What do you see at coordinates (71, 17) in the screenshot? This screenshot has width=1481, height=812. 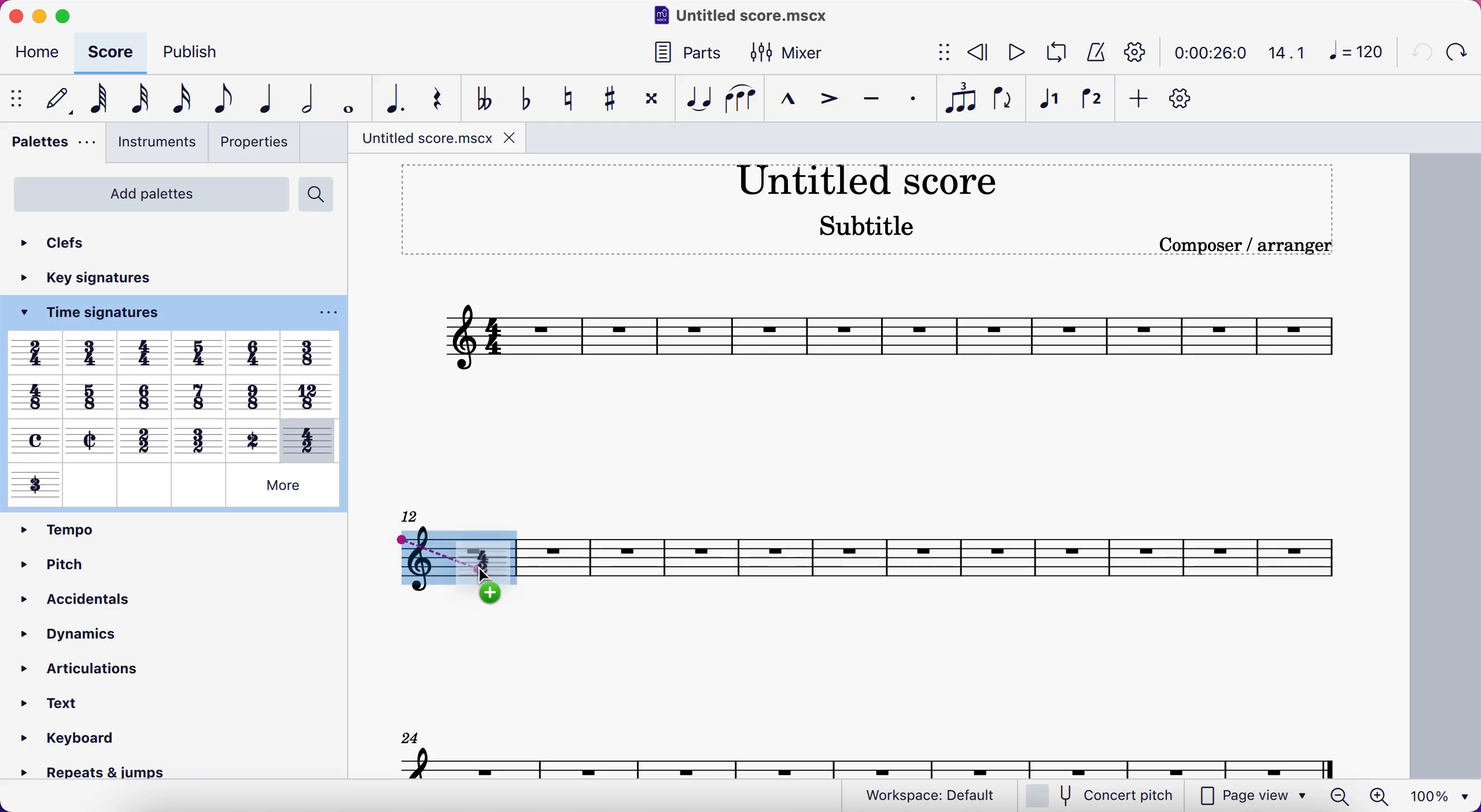 I see `maimize` at bounding box center [71, 17].